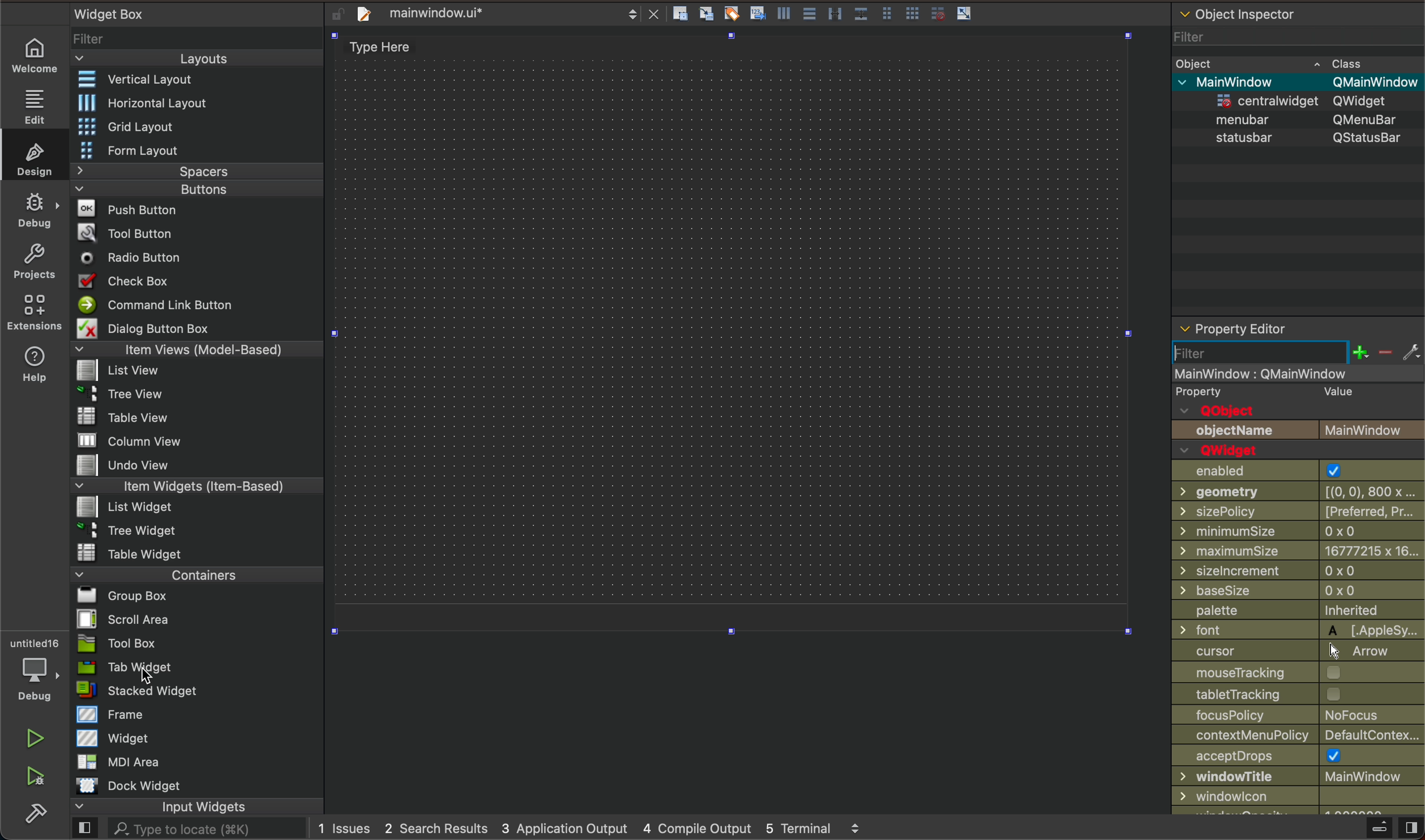  What do you see at coordinates (36, 103) in the screenshot?
I see `edit` at bounding box center [36, 103].